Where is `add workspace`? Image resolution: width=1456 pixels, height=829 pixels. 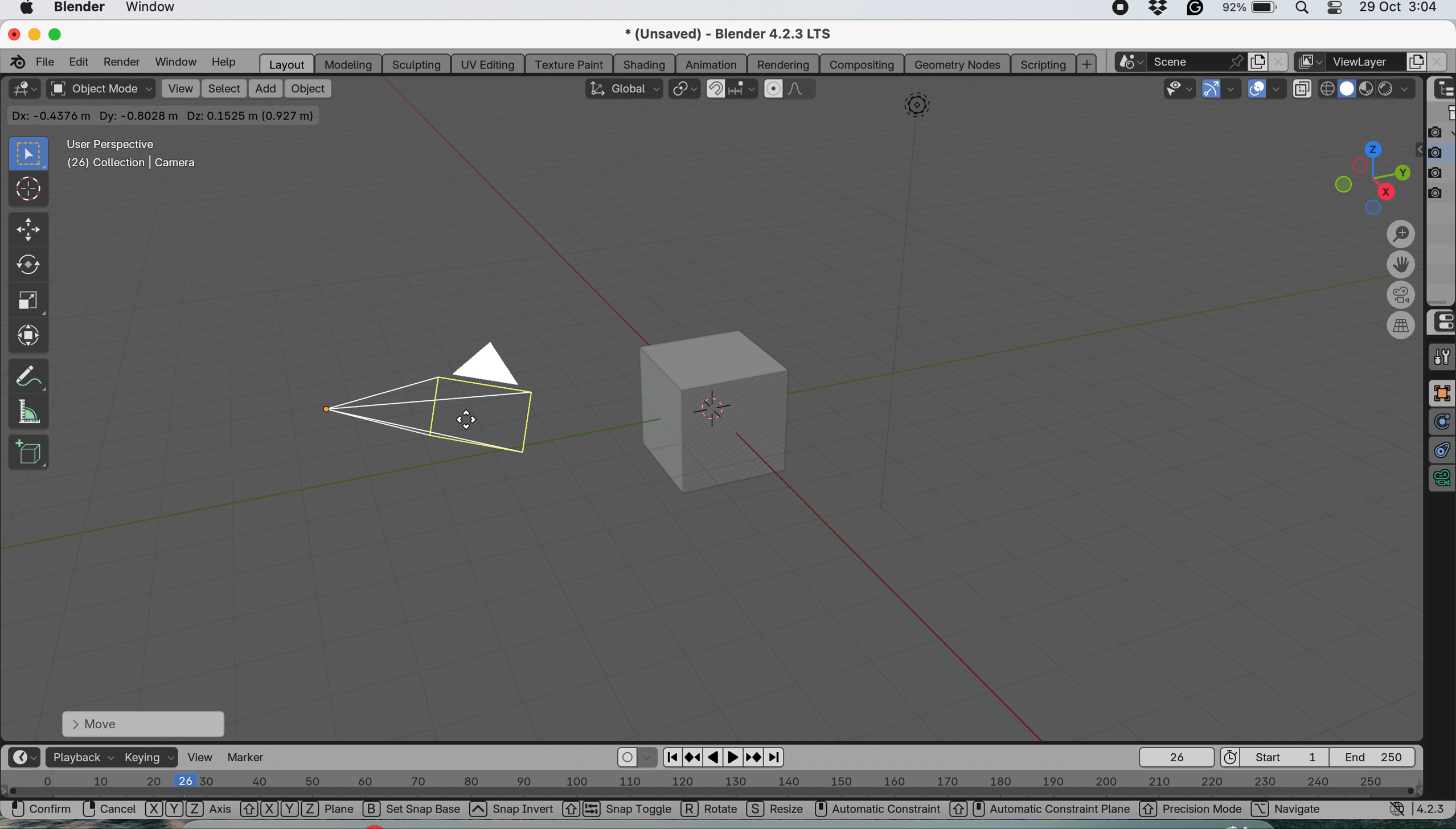 add workspace is located at coordinates (1088, 64).